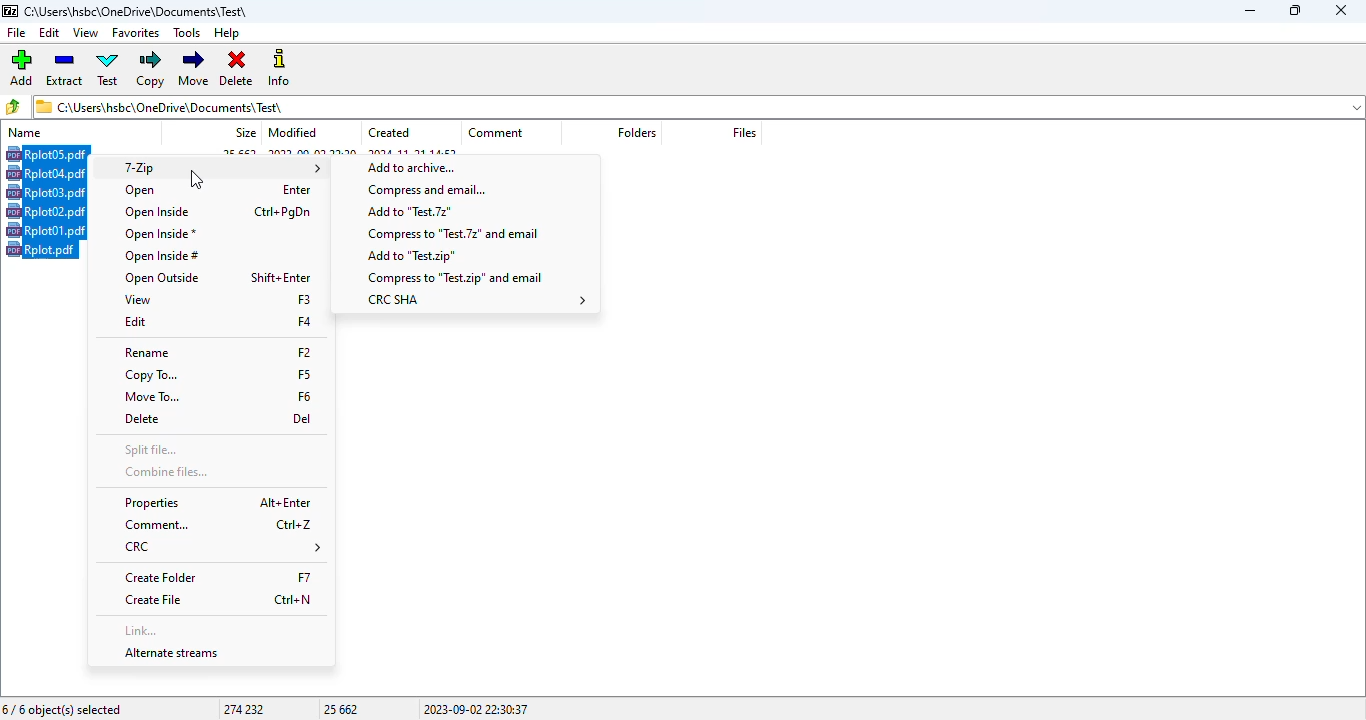  What do you see at coordinates (138, 11) in the screenshot?
I see `folder` at bounding box center [138, 11].